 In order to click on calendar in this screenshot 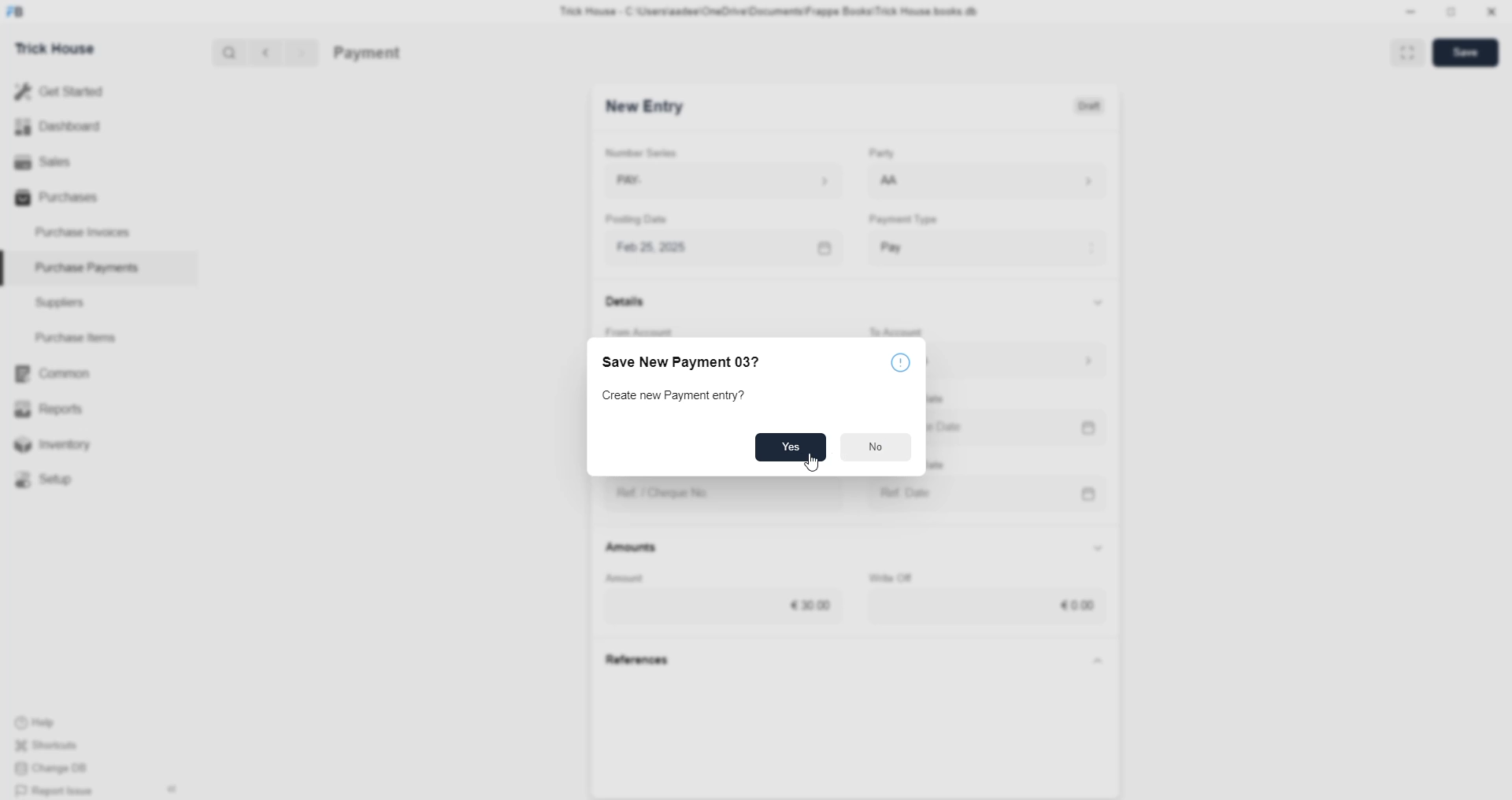, I will do `click(1095, 491)`.